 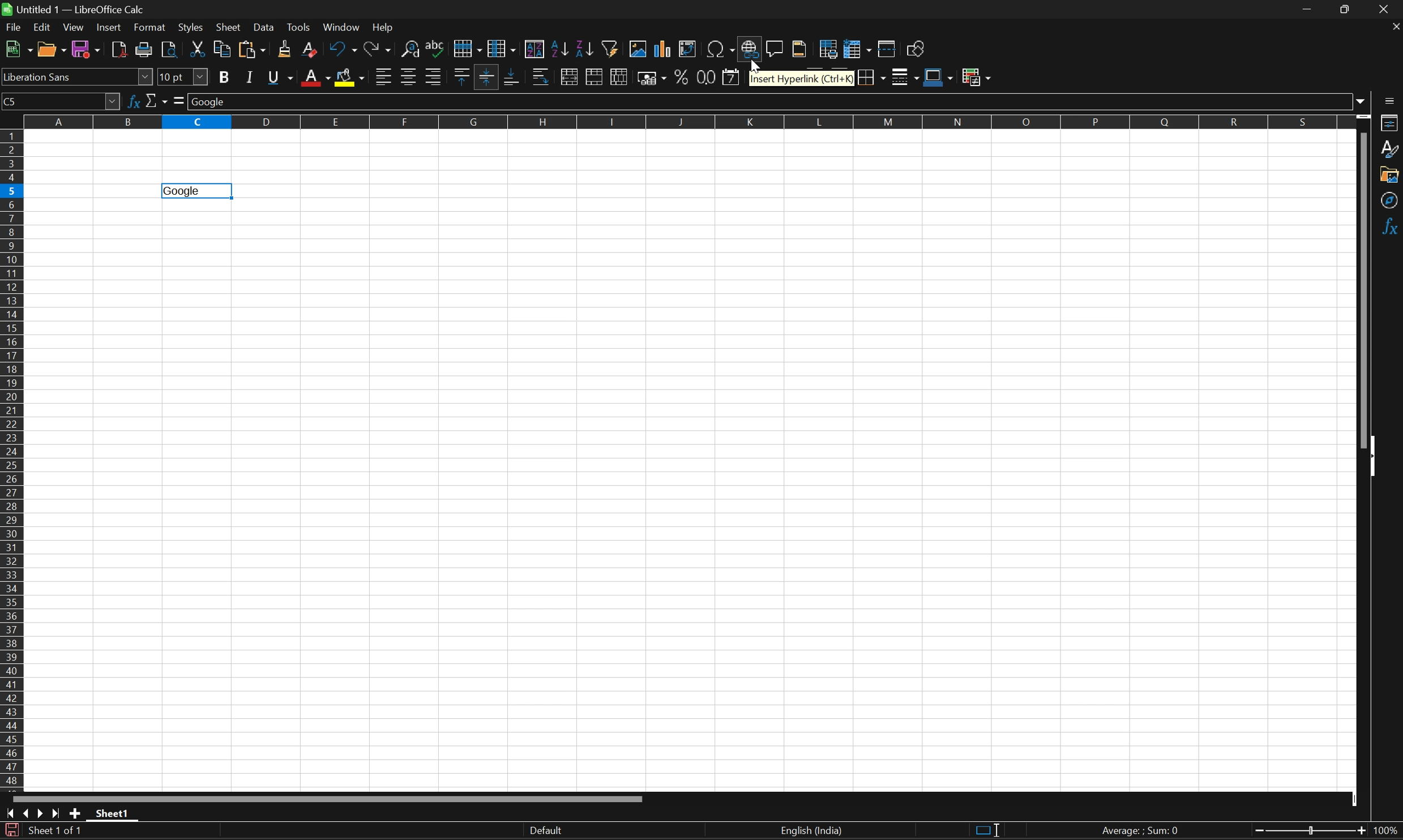 What do you see at coordinates (328, 799) in the screenshot?
I see `Scroll bar` at bounding box center [328, 799].